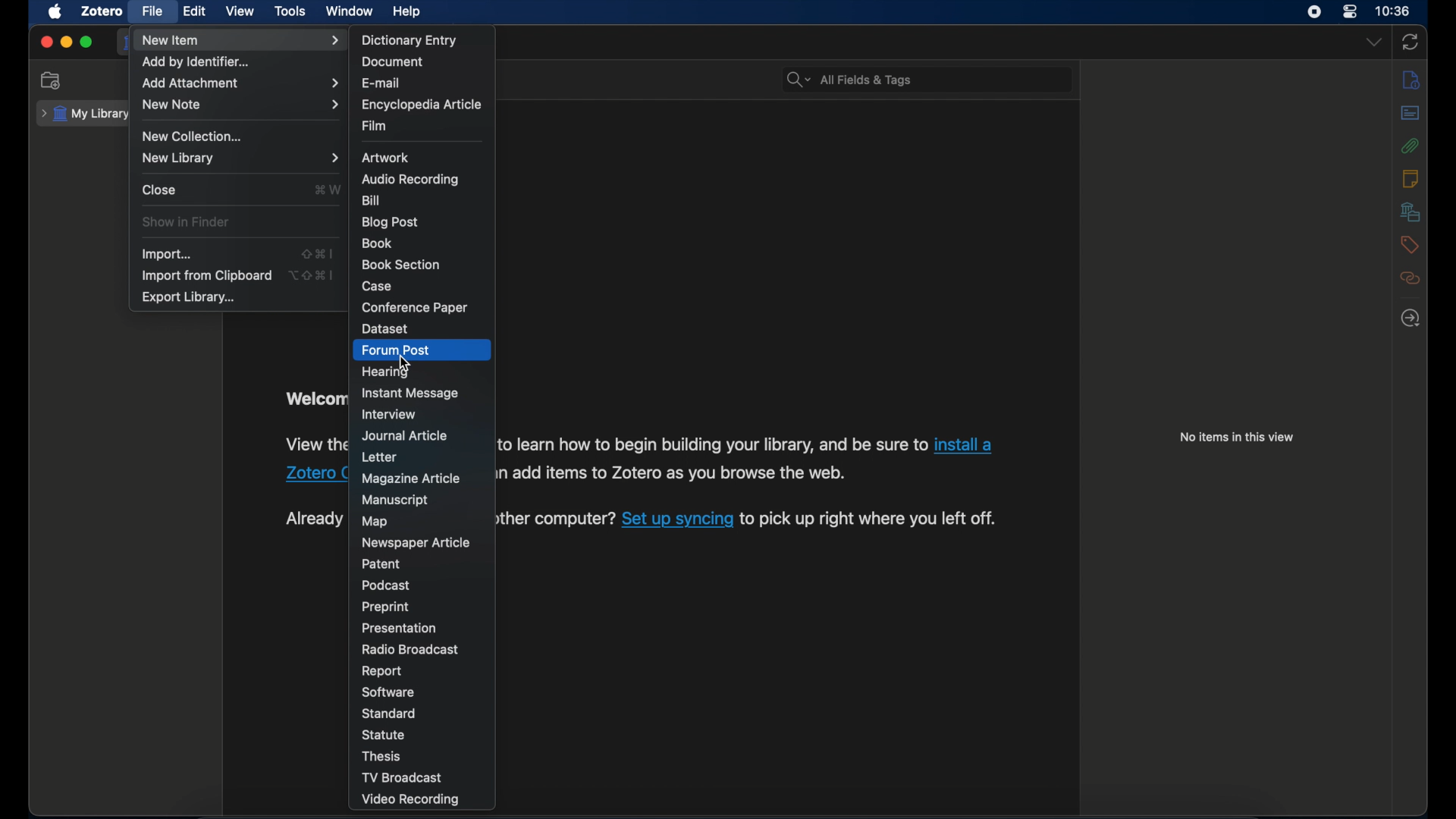 Image resolution: width=1456 pixels, height=819 pixels. What do you see at coordinates (1410, 146) in the screenshot?
I see `attachments` at bounding box center [1410, 146].